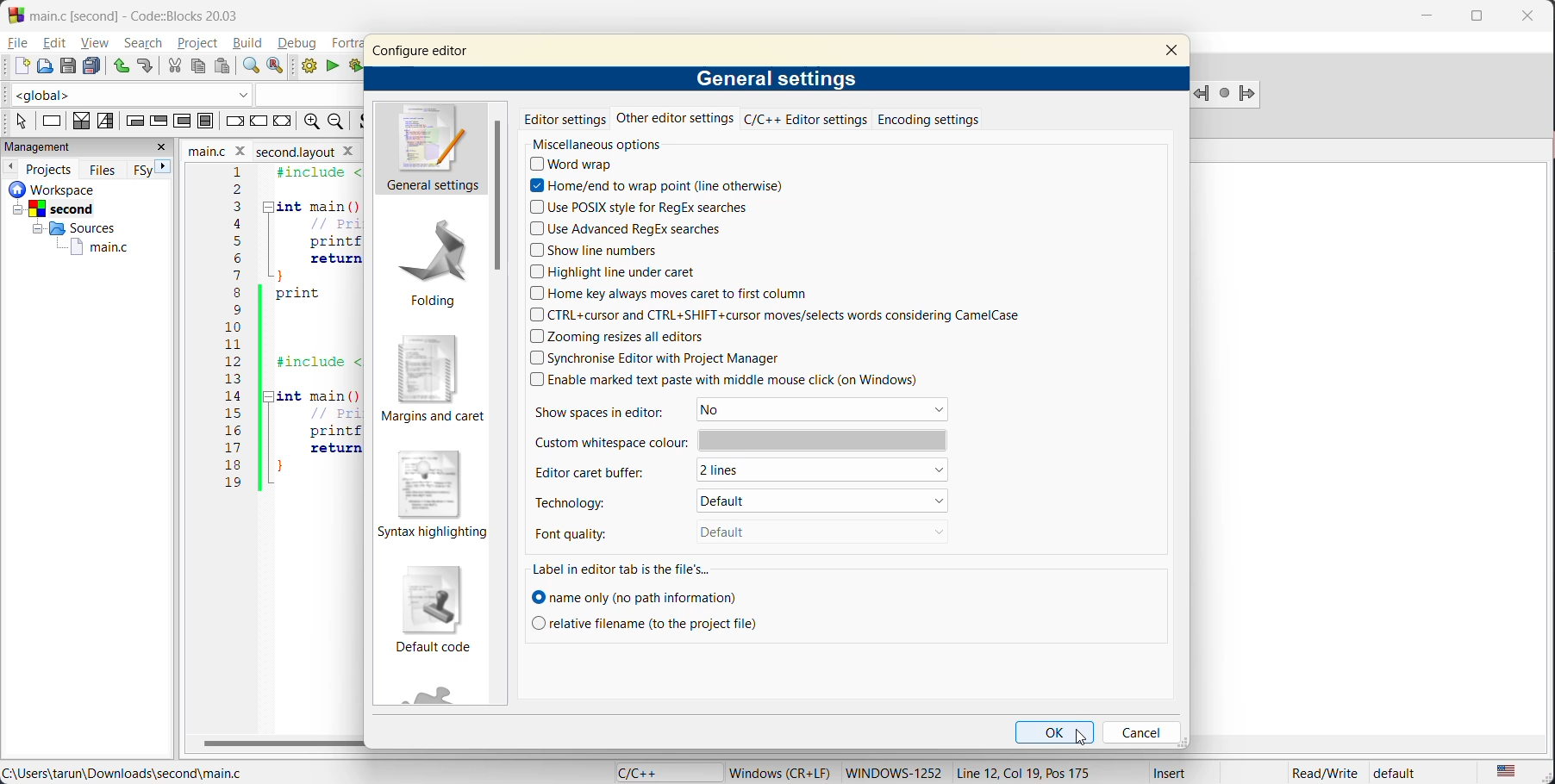 This screenshot has height=784, width=1555. I want to click on cursor, so click(1083, 737).